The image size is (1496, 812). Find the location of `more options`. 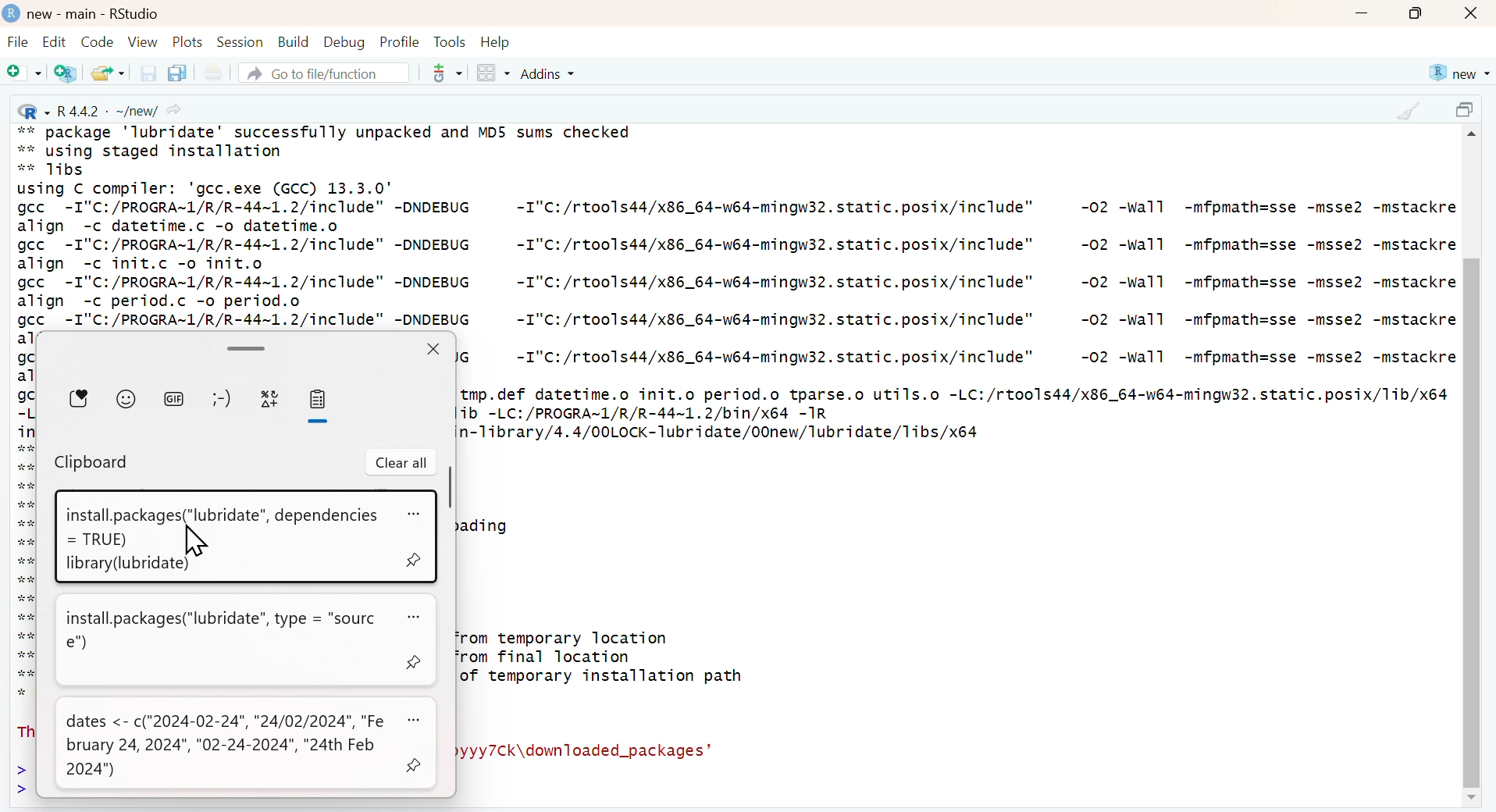

more options is located at coordinates (420, 618).